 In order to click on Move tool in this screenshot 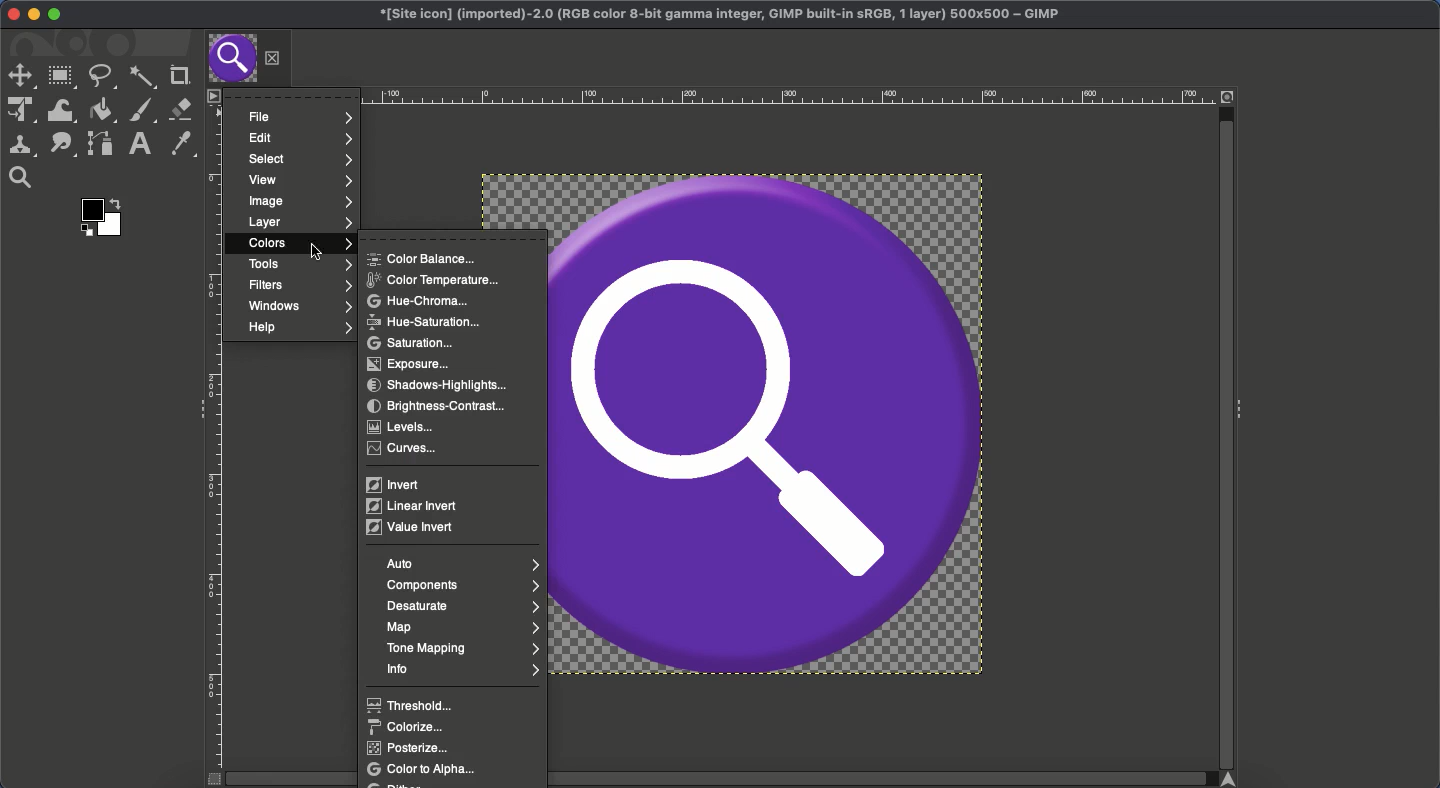, I will do `click(20, 74)`.